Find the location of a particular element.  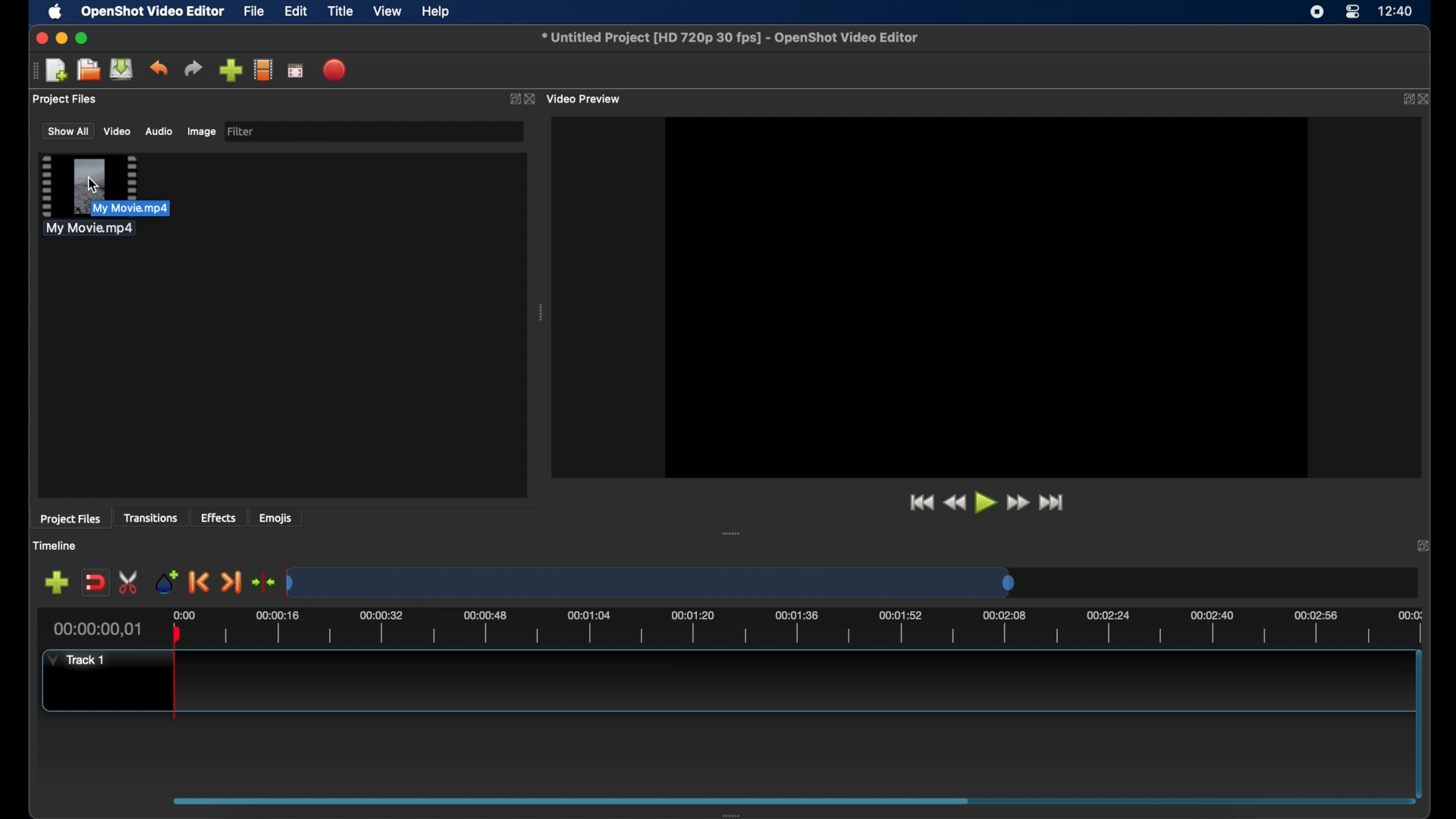

project files is located at coordinates (65, 99).